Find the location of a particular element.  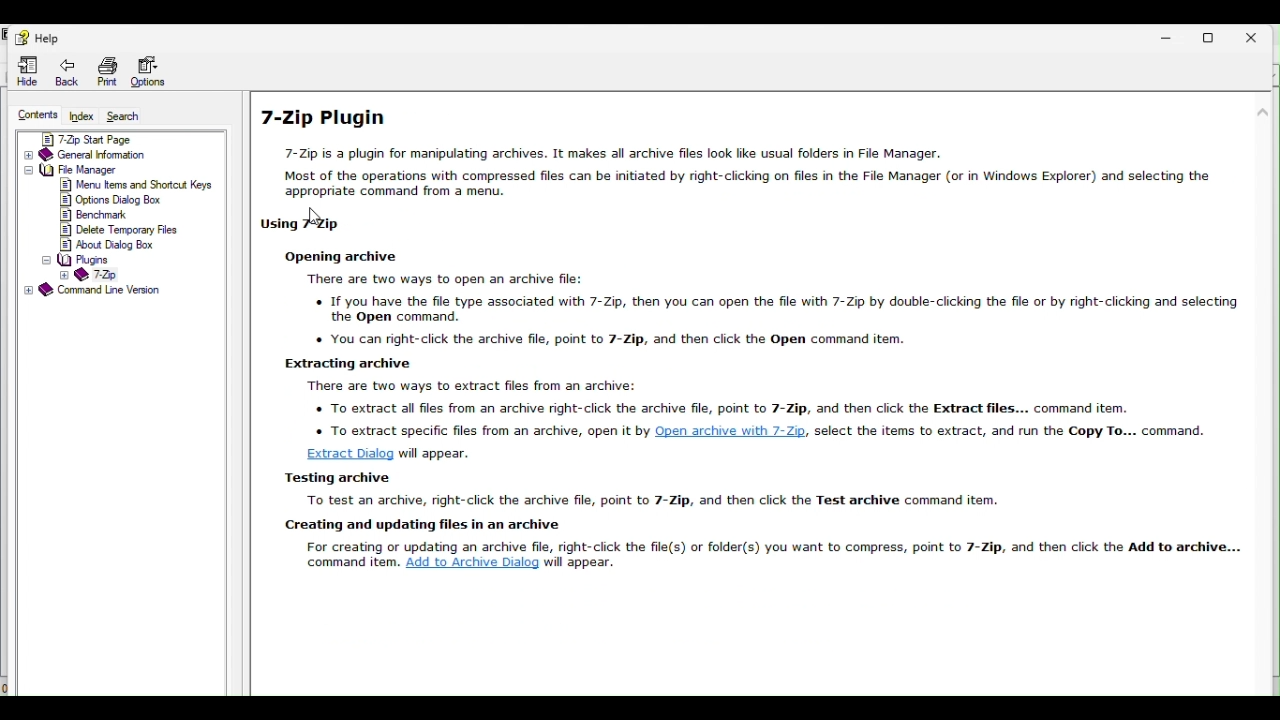

Opuning weave
There are two ways to open an archive file:
If you have the file type associated with 7-Zip, then you can open the file with 7-Zip by double-clicking the file or by right-clicking and selecting
the Open command.
o You can riaht-click the archive file. point to 7-7in. and then click the Open command item. is located at coordinates (755, 297).